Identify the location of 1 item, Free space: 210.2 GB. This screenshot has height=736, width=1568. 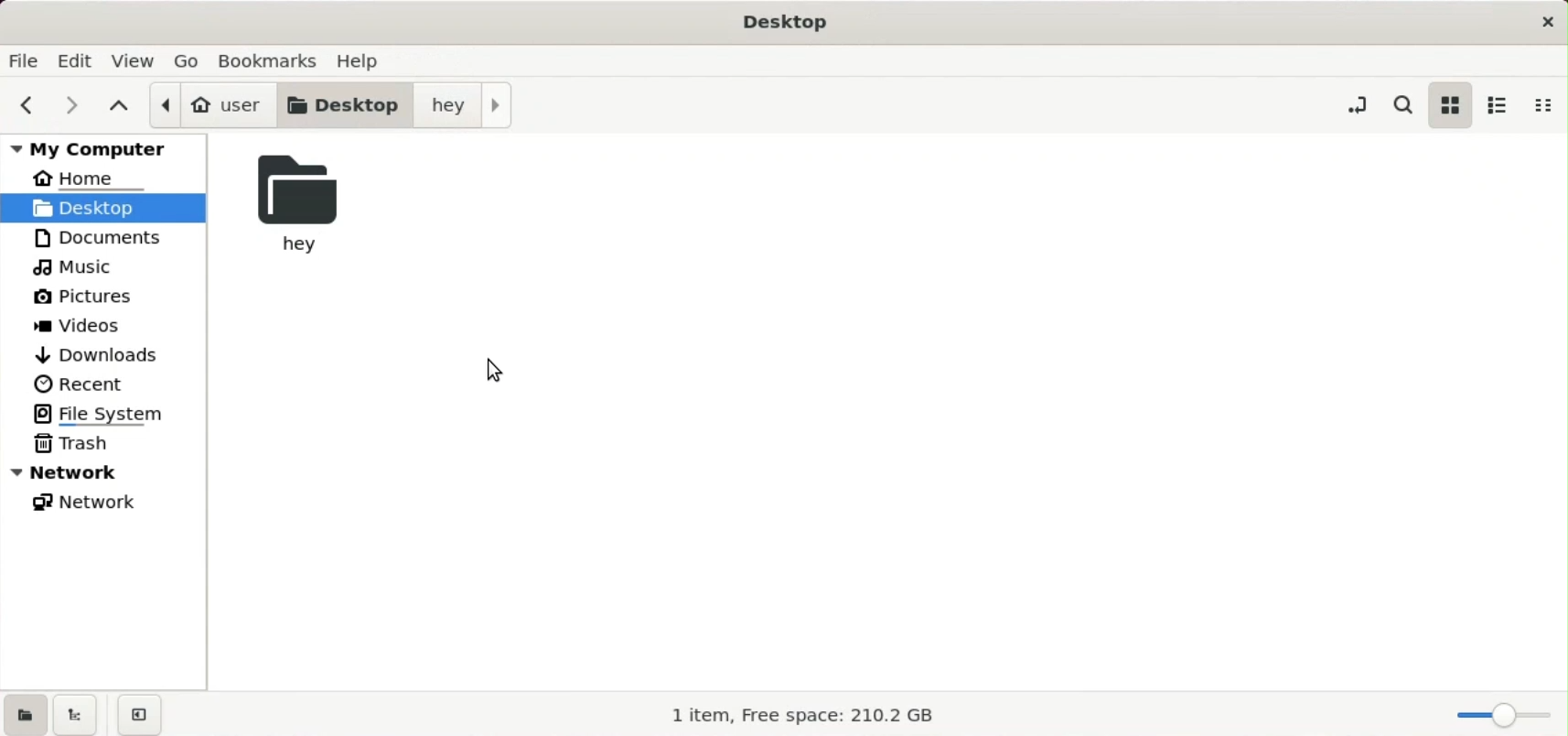
(810, 717).